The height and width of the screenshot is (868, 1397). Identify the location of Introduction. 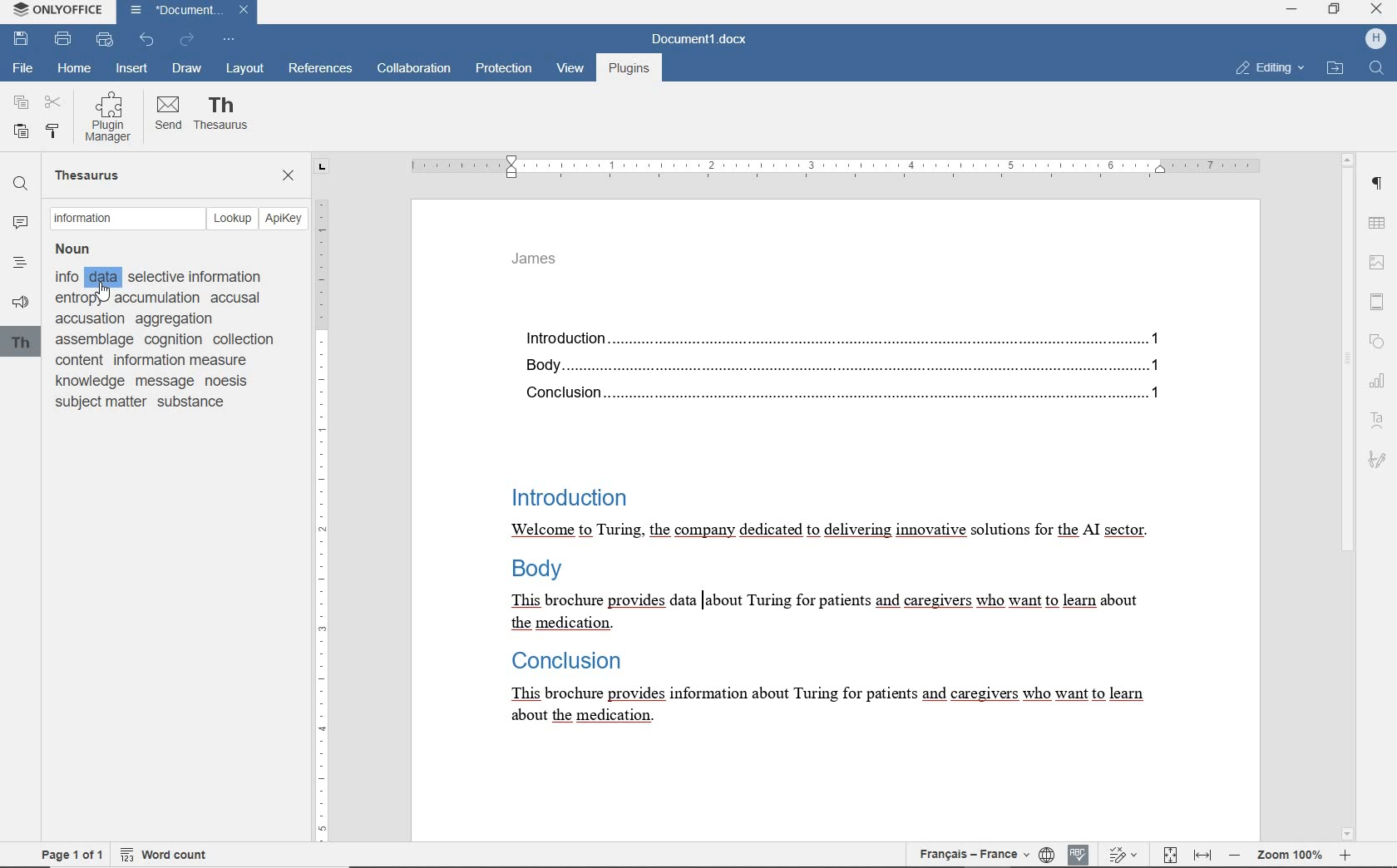
(563, 496).